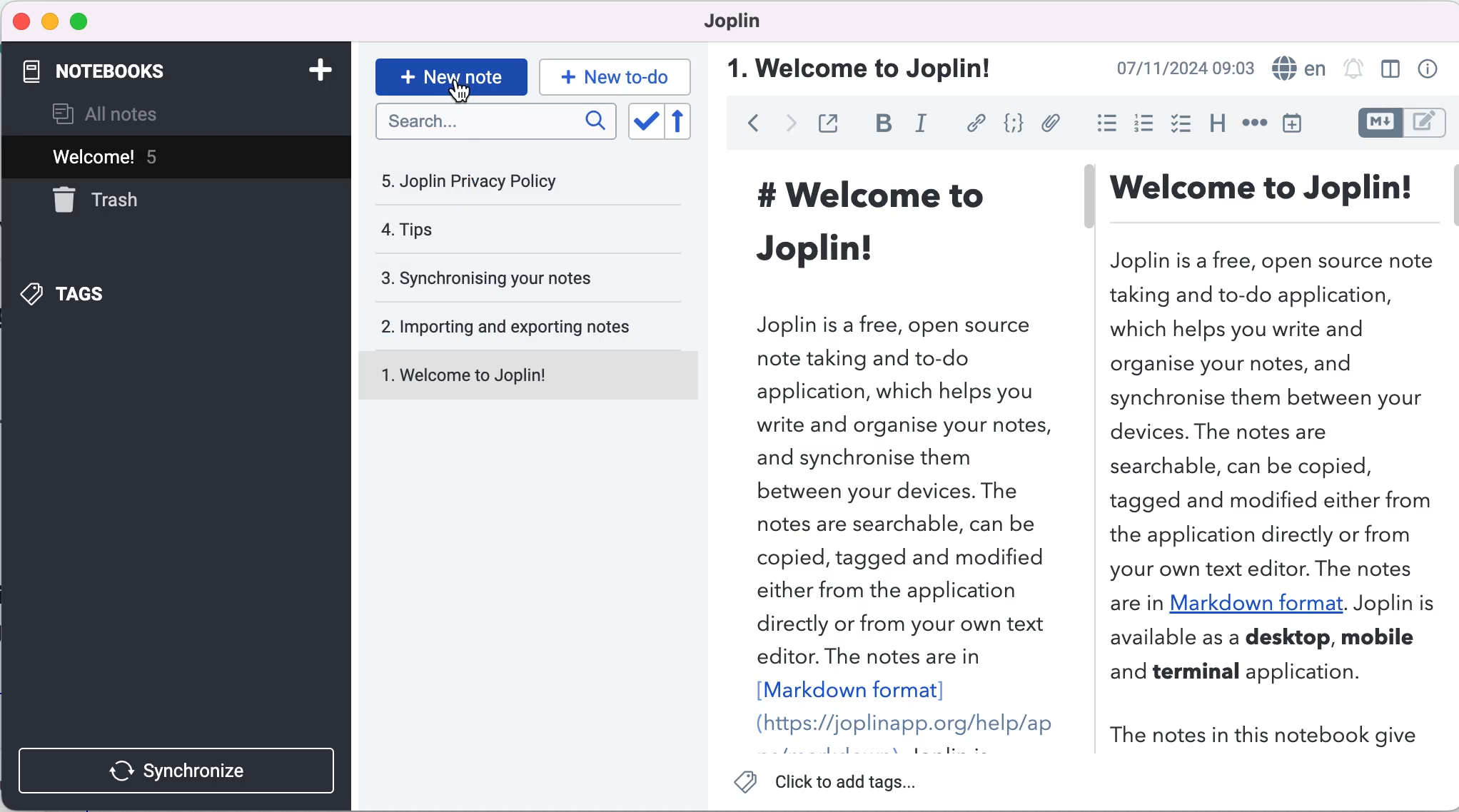 The height and width of the screenshot is (812, 1459). I want to click on reverse sort order, so click(682, 122).